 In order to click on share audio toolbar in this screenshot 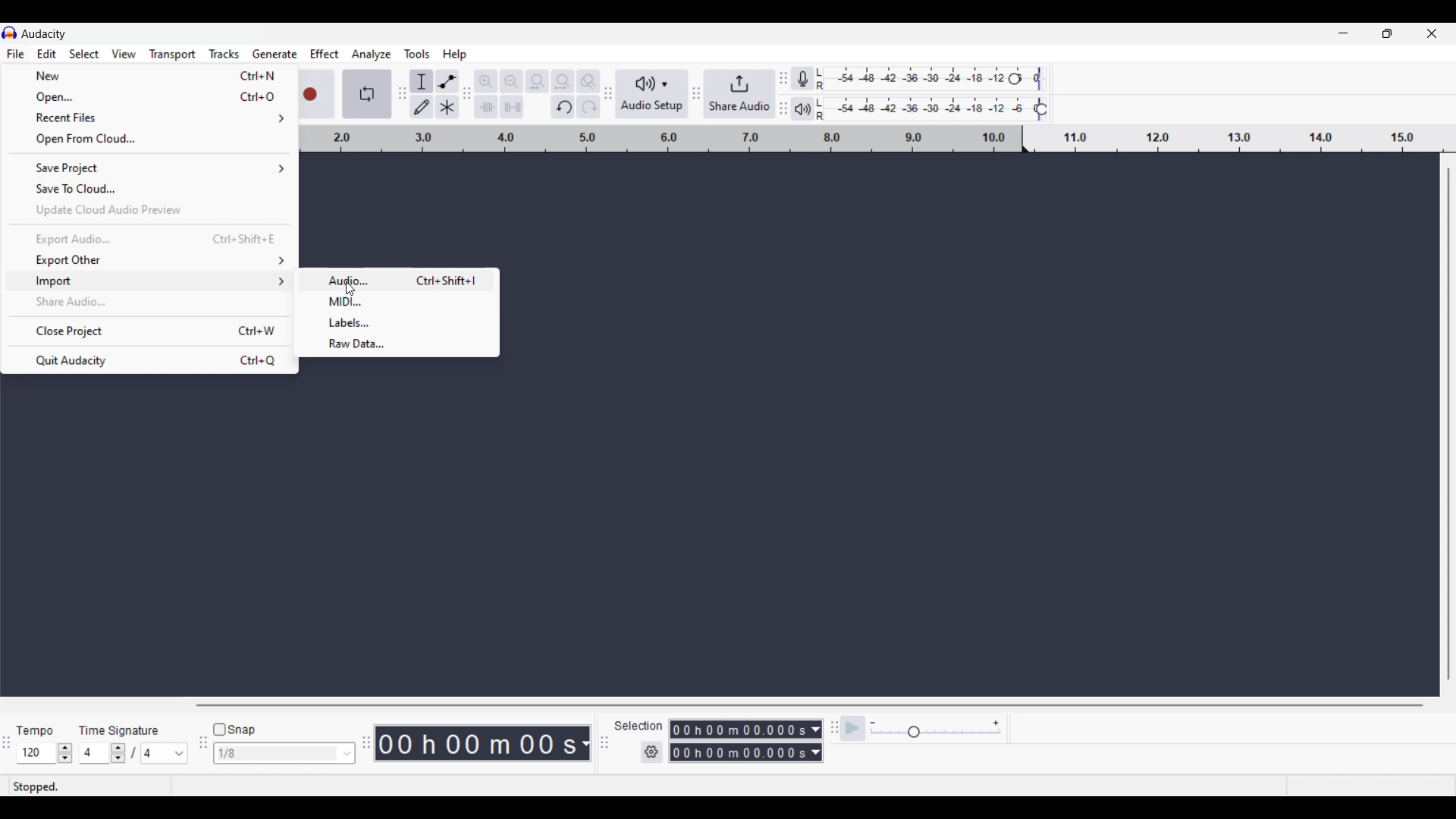, I will do `click(694, 95)`.